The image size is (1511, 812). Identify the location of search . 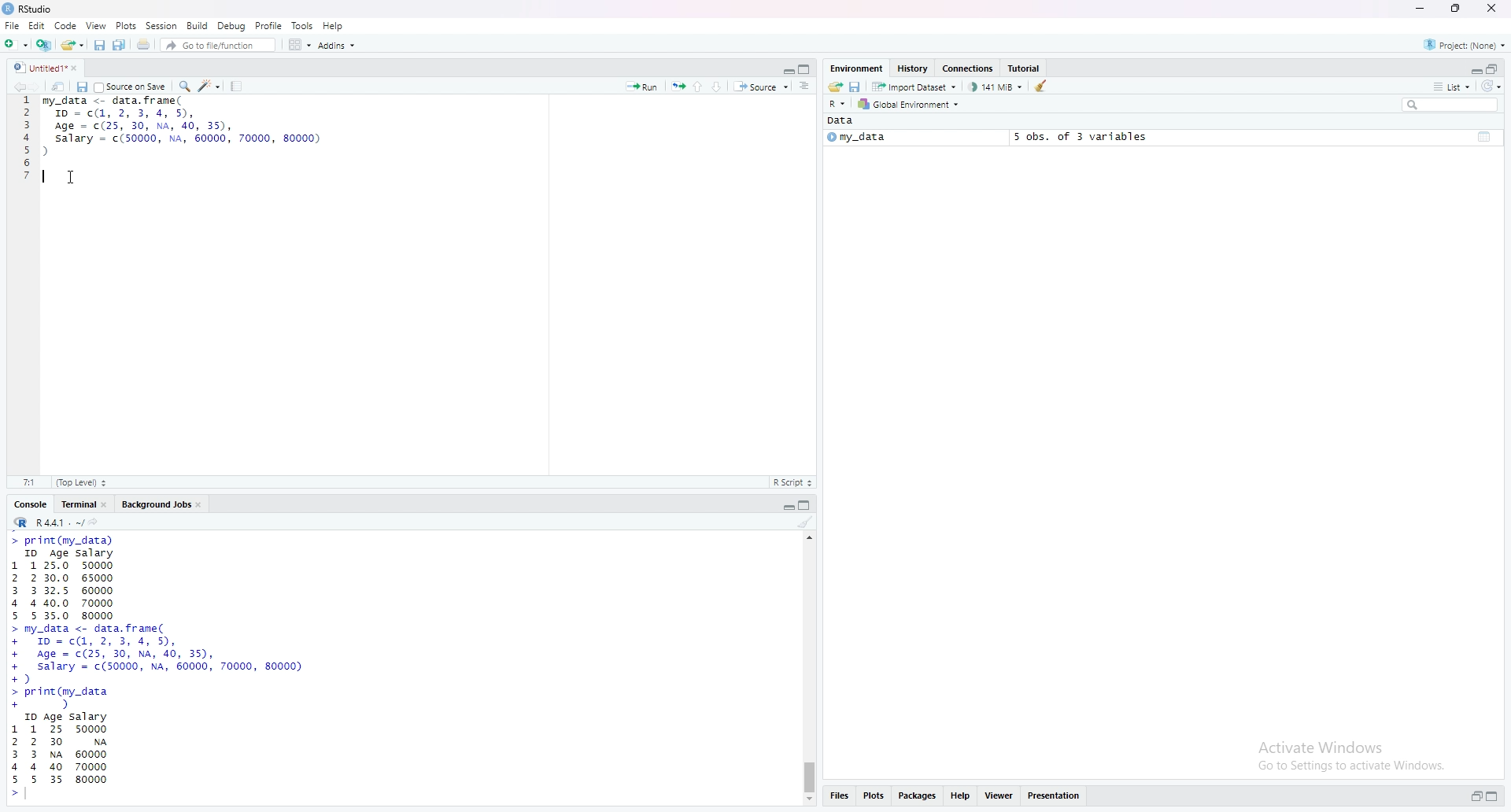
(1451, 106).